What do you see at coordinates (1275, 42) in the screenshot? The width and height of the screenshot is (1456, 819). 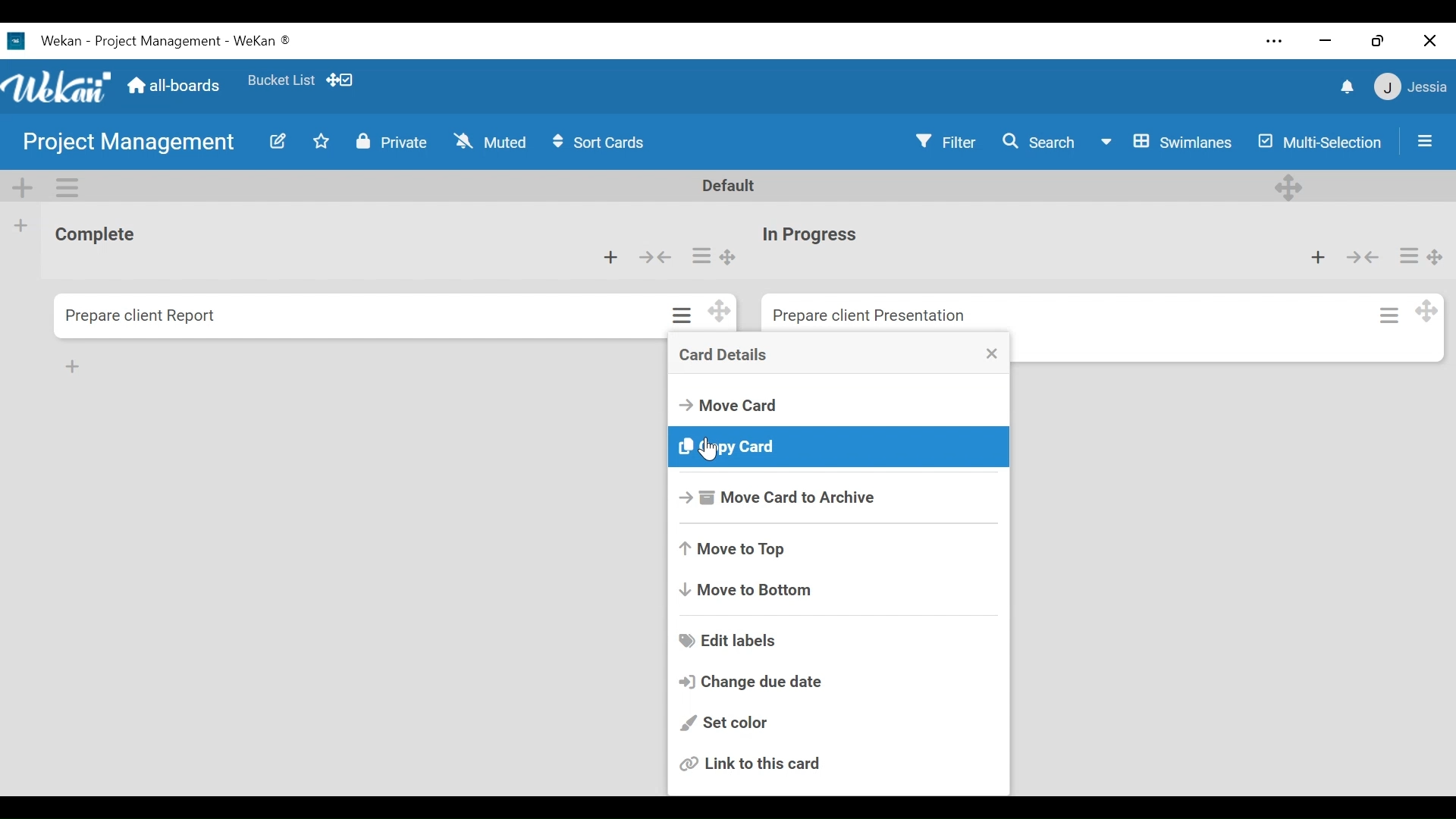 I see `Settings and more` at bounding box center [1275, 42].